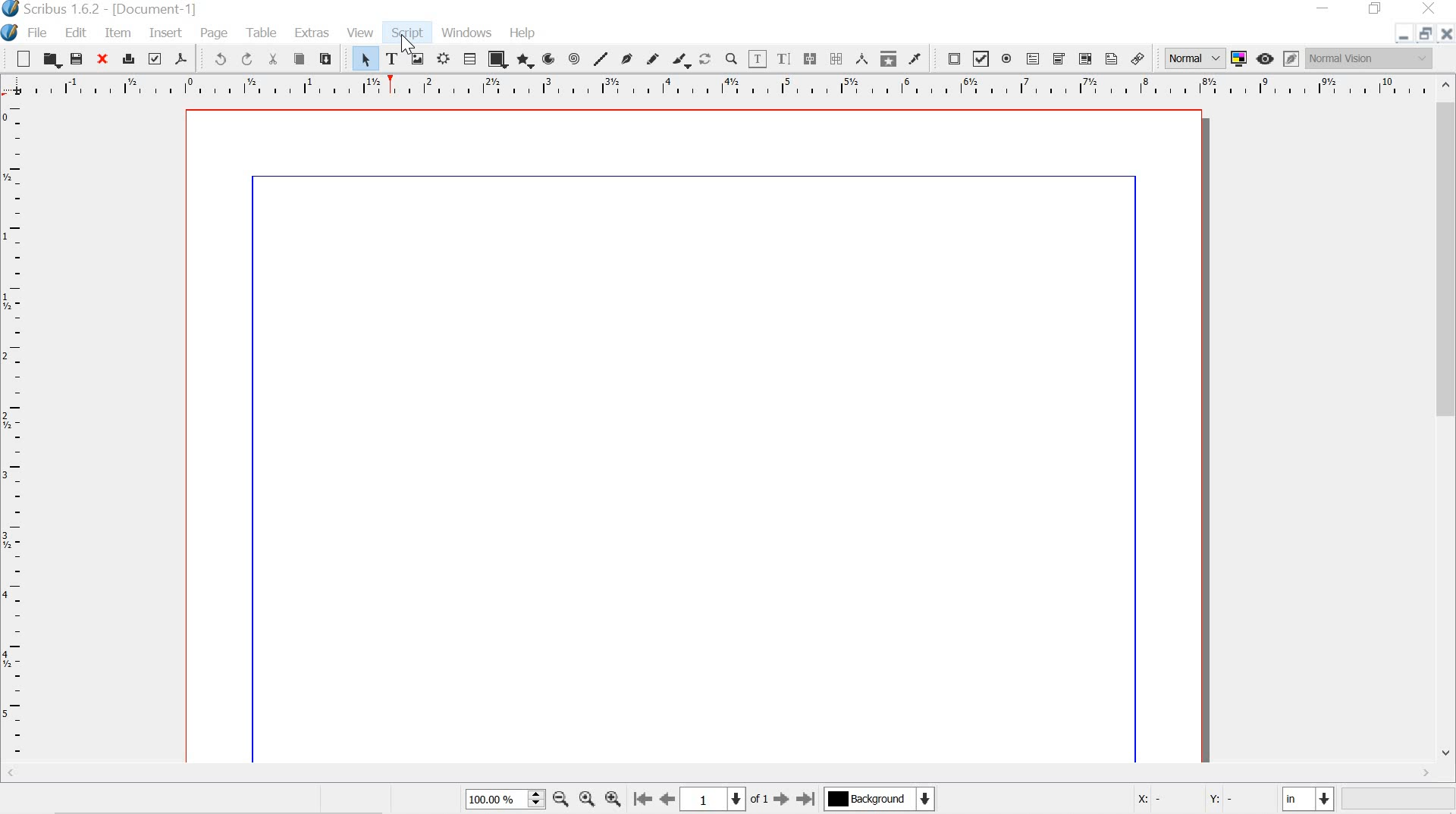 Image resolution: width=1456 pixels, height=814 pixels. What do you see at coordinates (780, 800) in the screenshot?
I see `Next page` at bounding box center [780, 800].